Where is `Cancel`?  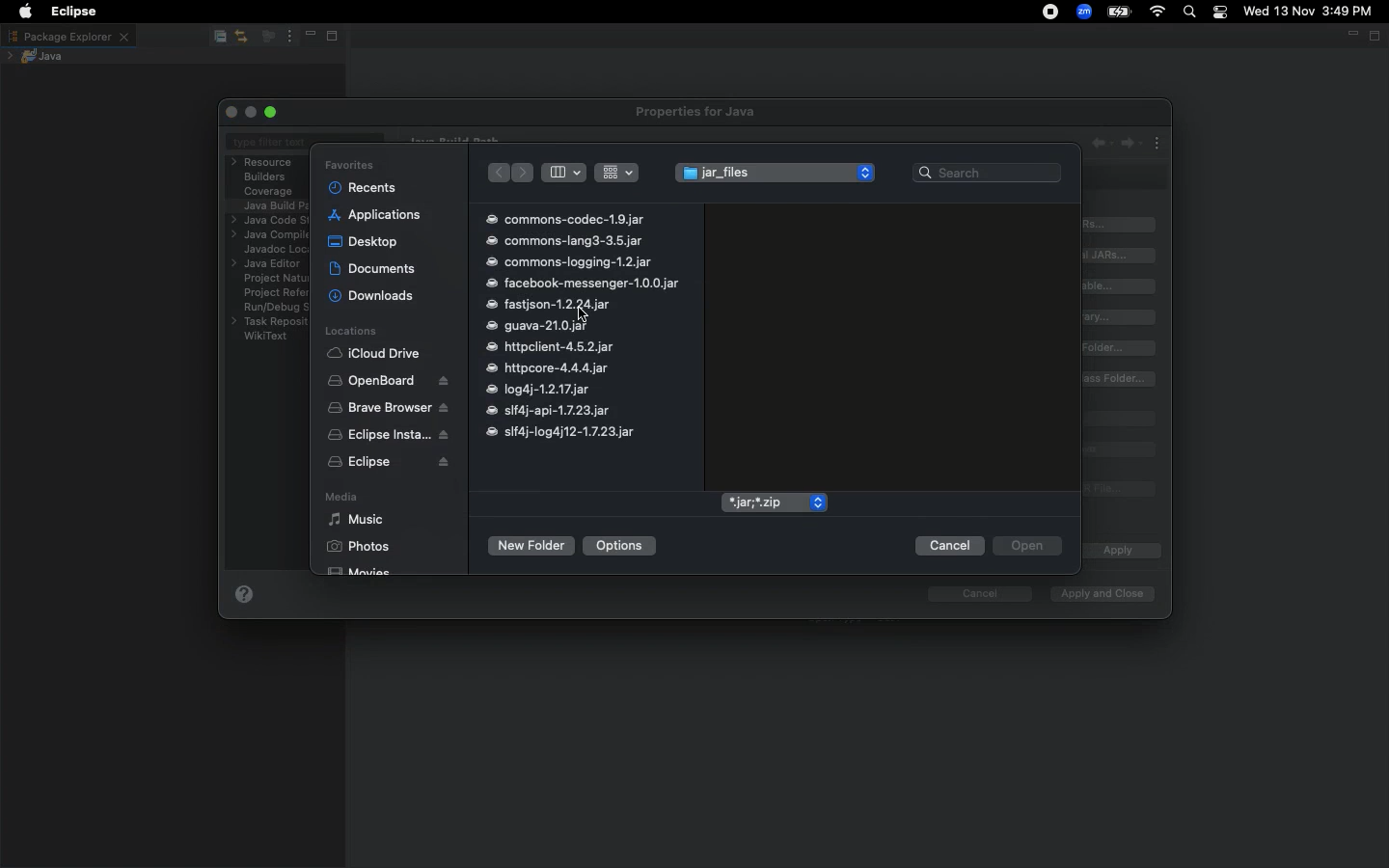 Cancel is located at coordinates (948, 546).